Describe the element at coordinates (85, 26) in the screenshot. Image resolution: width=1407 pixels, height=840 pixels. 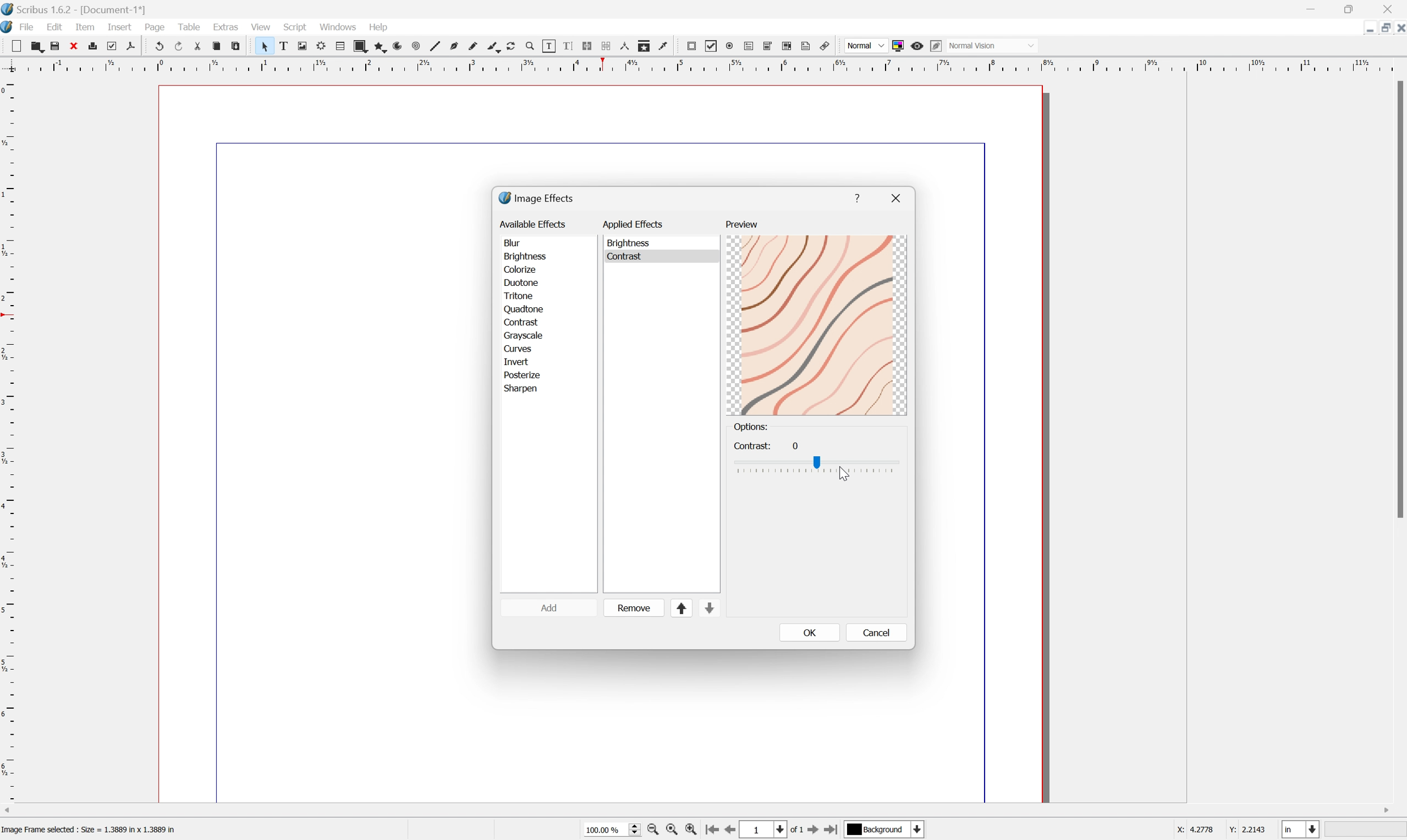
I see `Item` at that location.